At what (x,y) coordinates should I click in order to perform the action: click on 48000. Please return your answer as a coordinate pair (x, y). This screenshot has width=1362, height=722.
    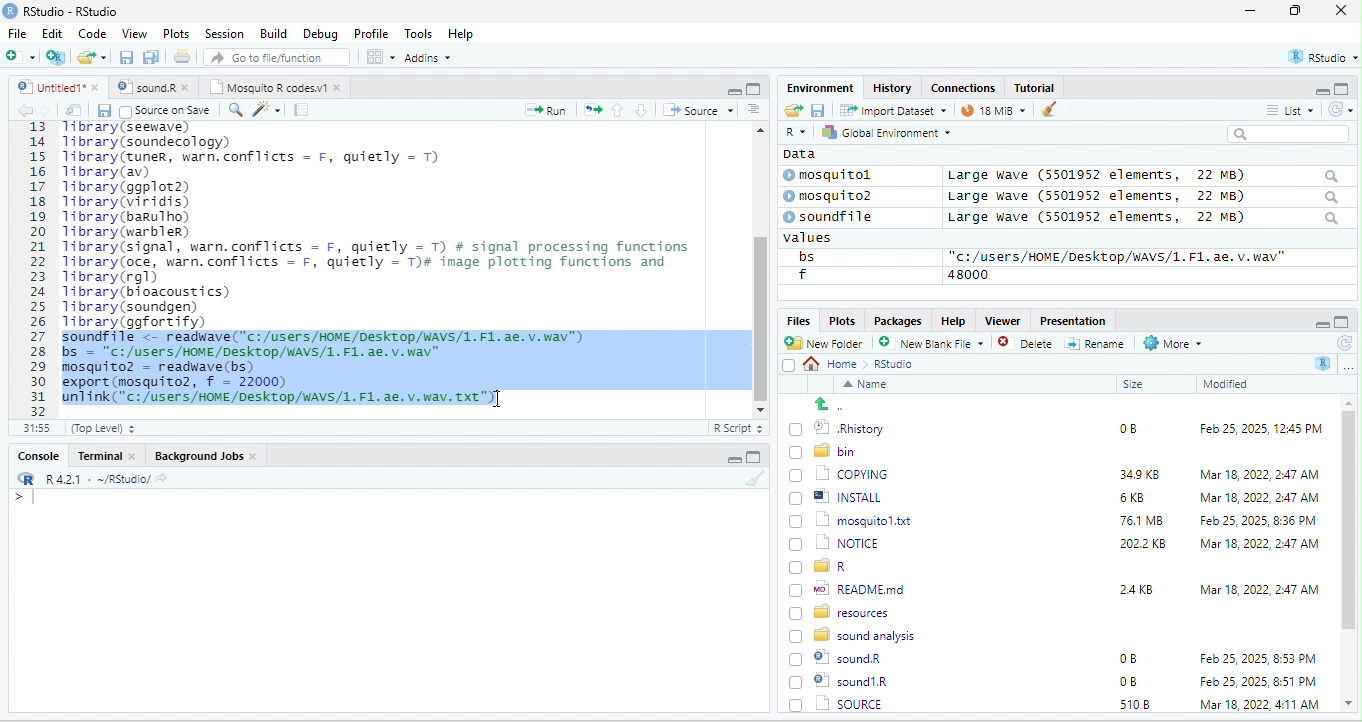
    Looking at the image, I should click on (969, 274).